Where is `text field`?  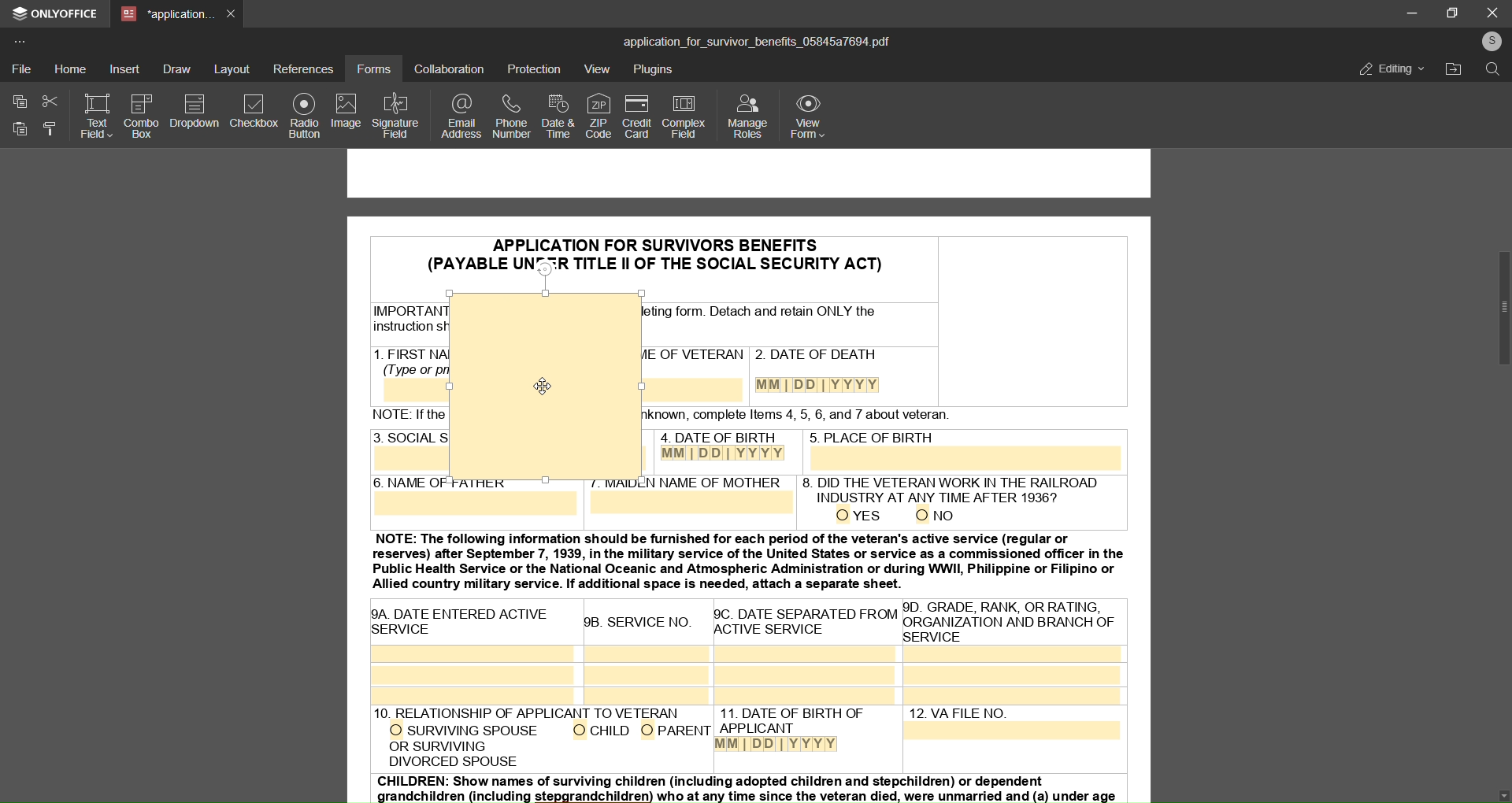 text field is located at coordinates (94, 117).